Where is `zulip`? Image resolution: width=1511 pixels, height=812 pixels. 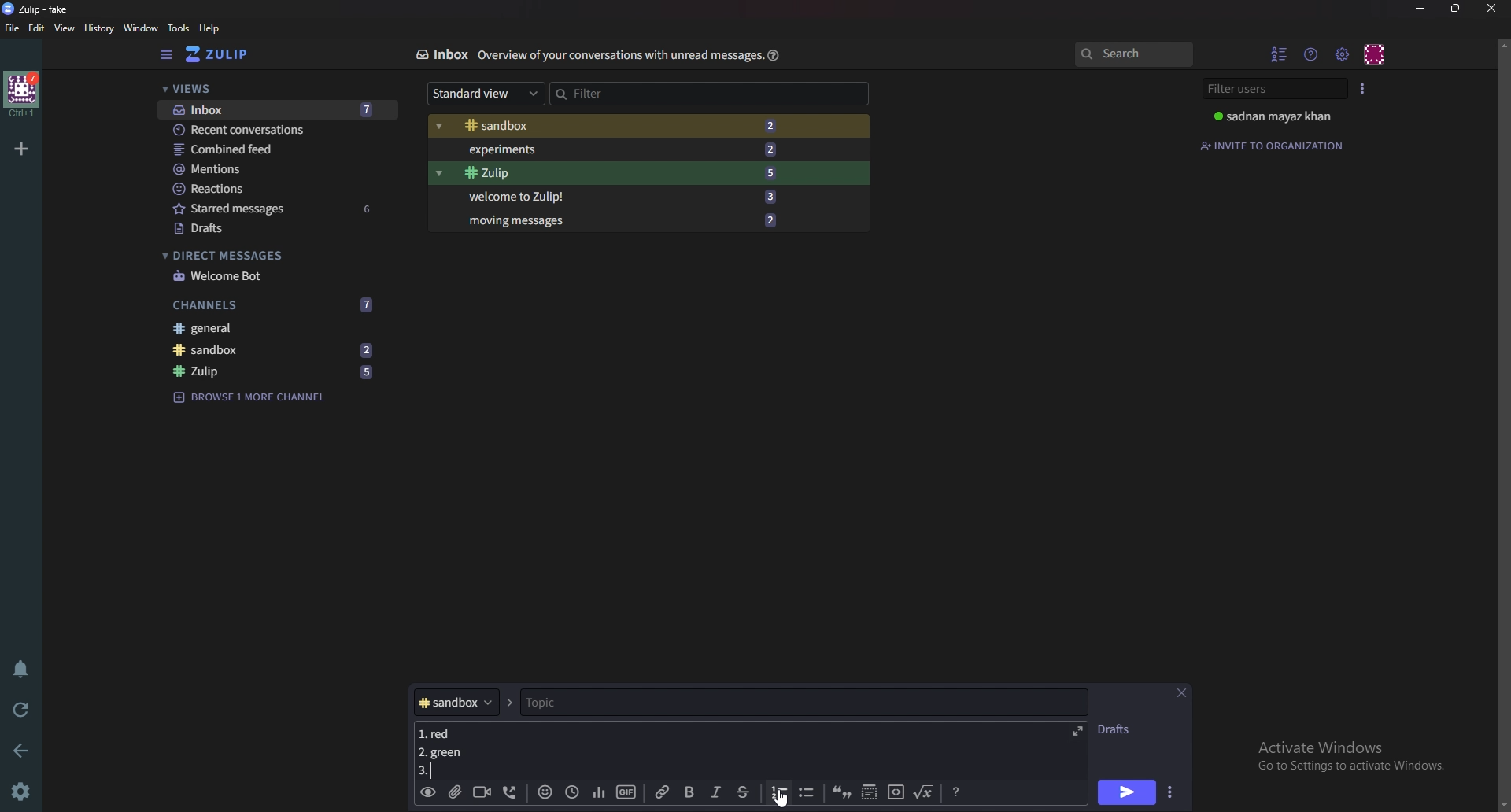
zulip is located at coordinates (279, 372).